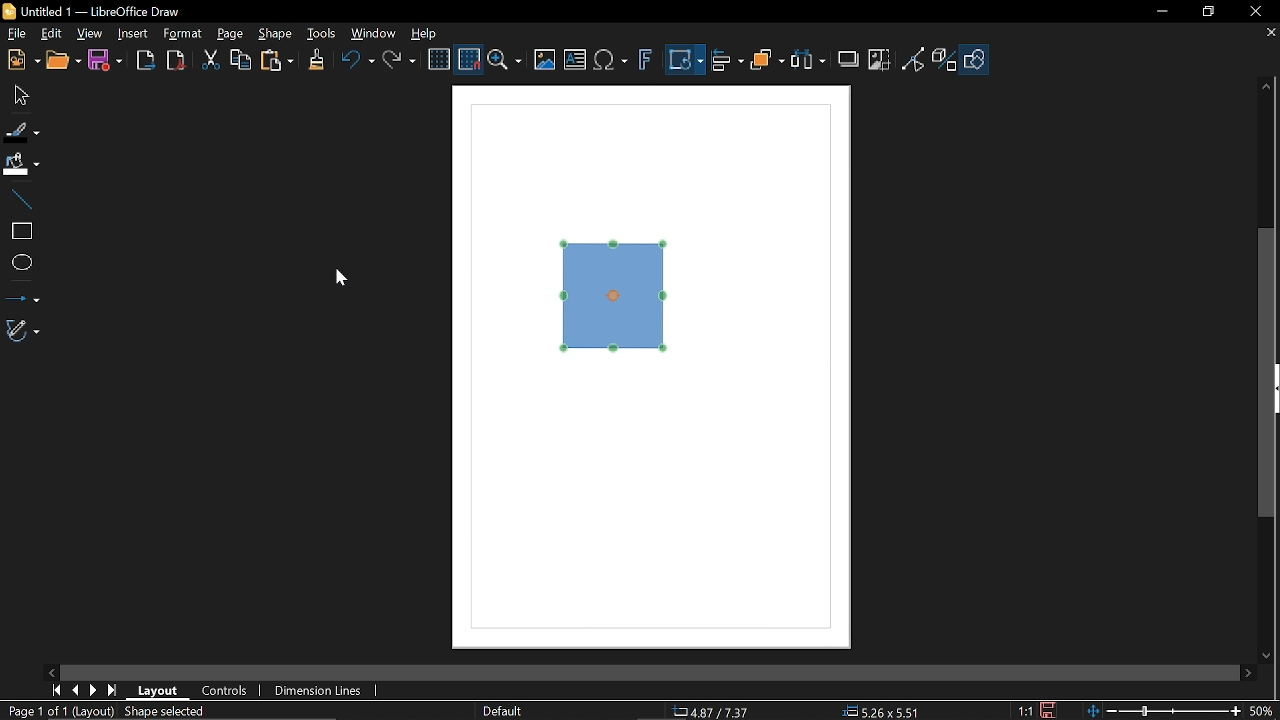  Describe the element at coordinates (208, 61) in the screenshot. I see `Cut` at that location.